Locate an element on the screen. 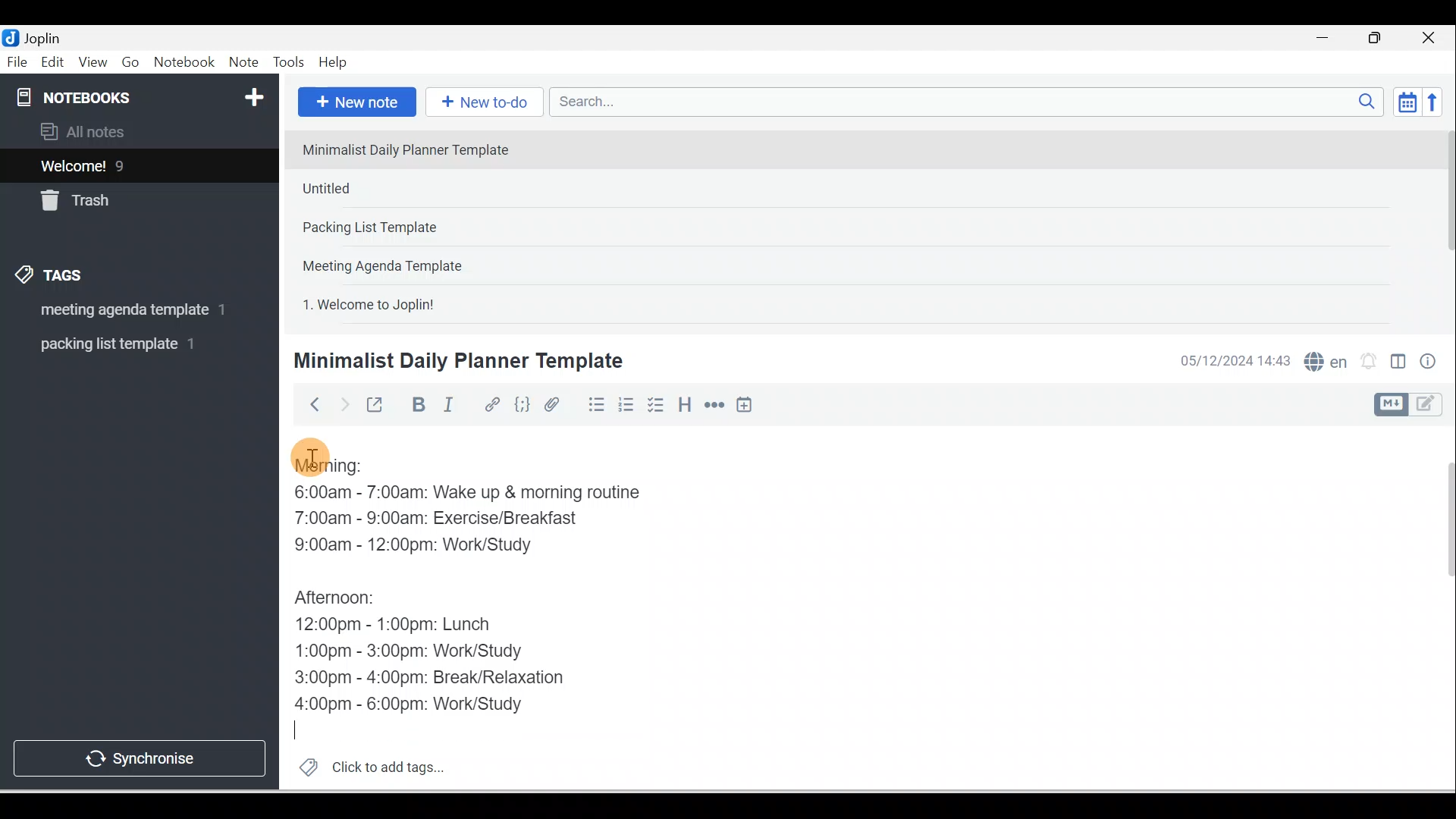 The width and height of the screenshot is (1456, 819). Note 1 is located at coordinates (416, 149).